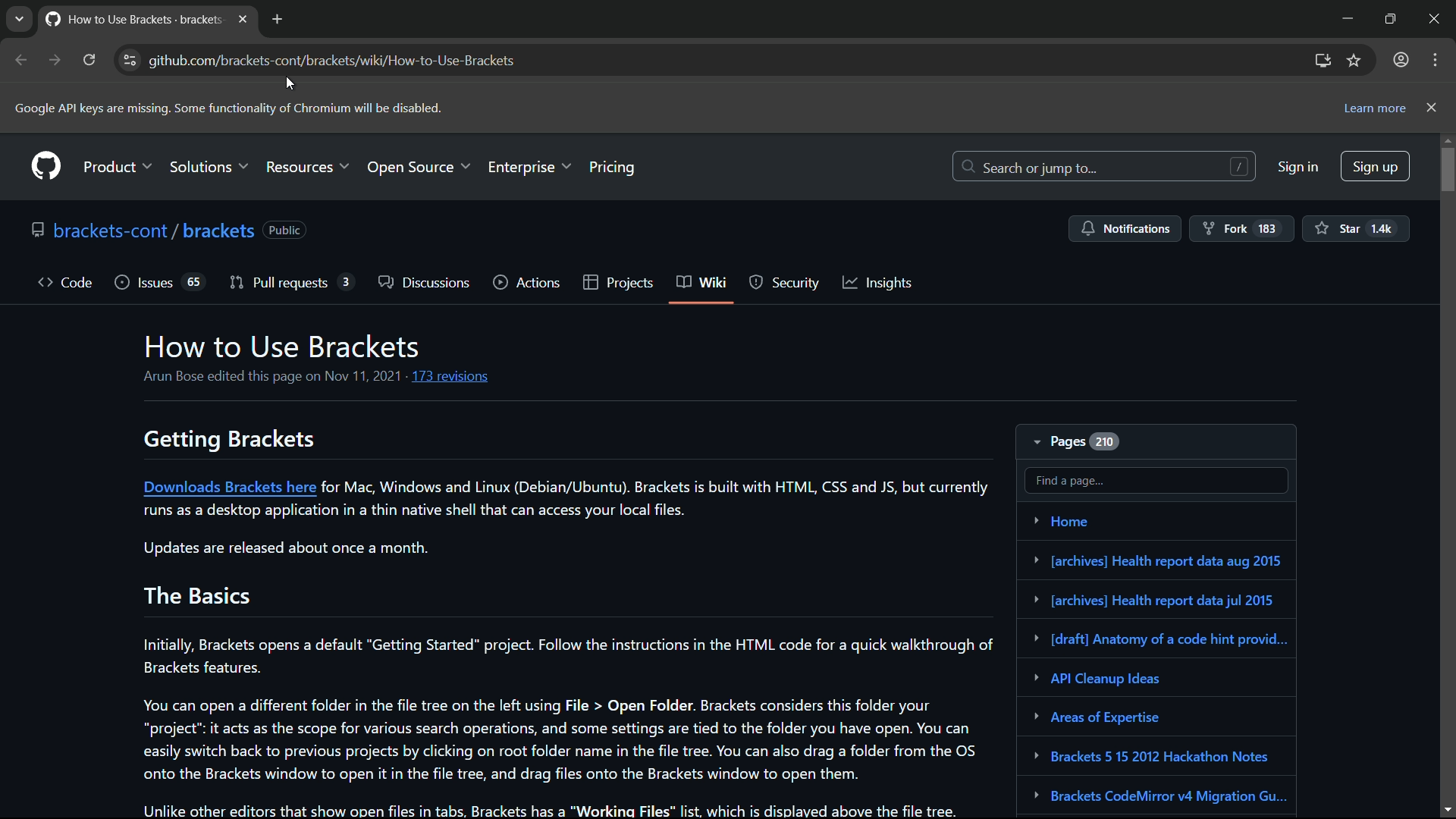 The width and height of the screenshot is (1456, 819). Describe the element at coordinates (45, 165) in the screenshot. I see `github logo` at that location.